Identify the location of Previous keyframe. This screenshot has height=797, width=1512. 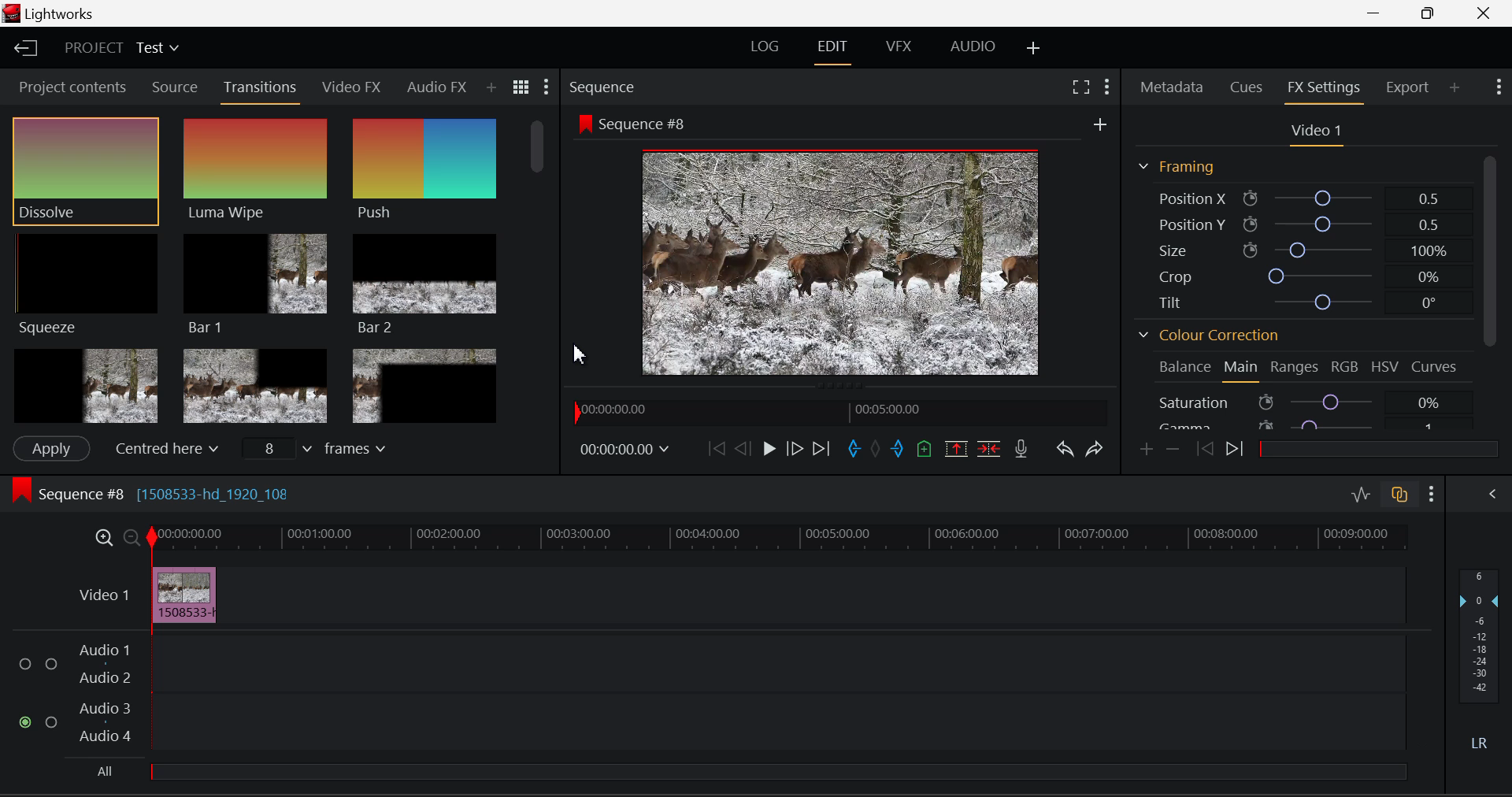
(1206, 448).